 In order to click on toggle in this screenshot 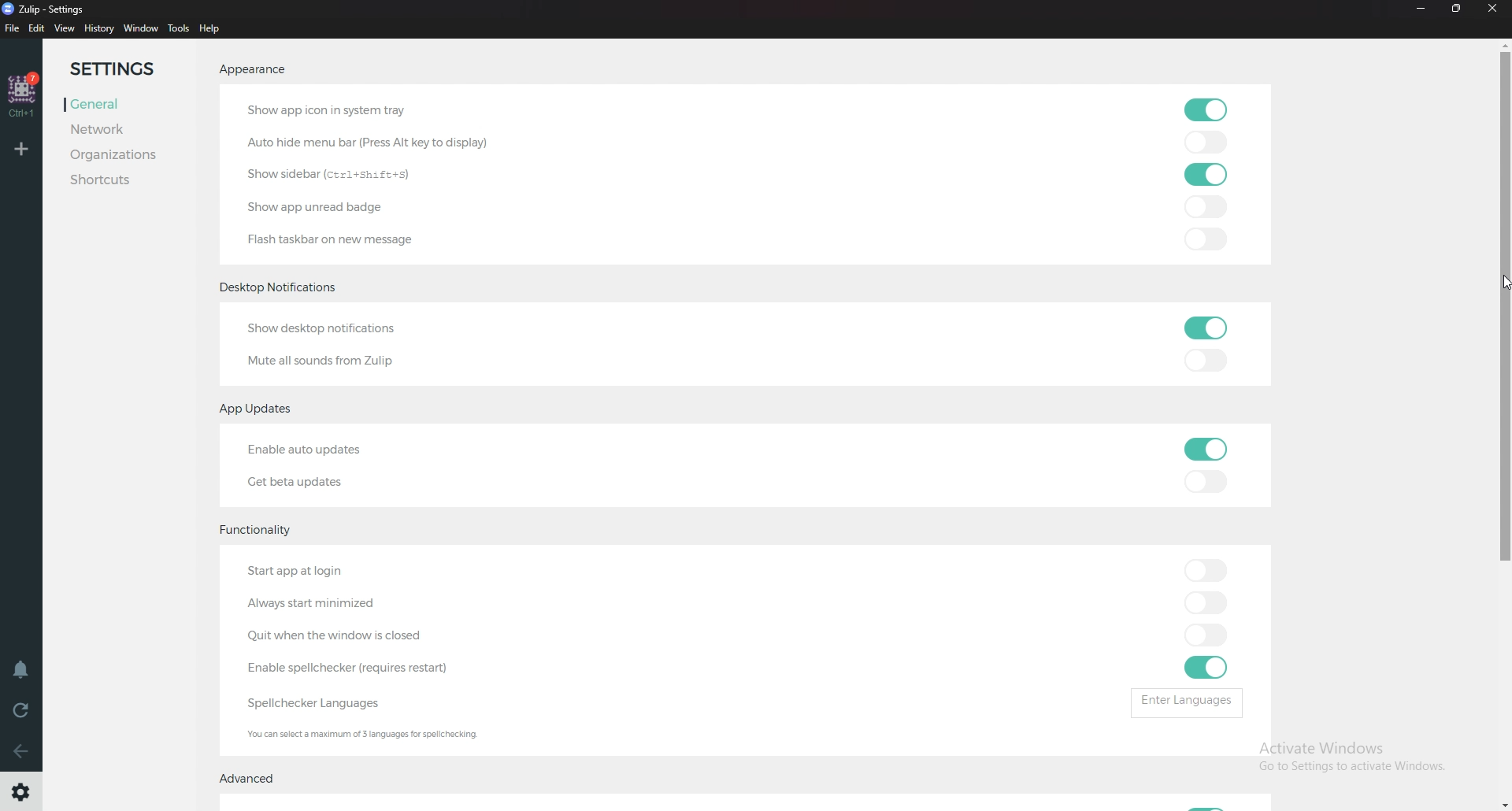, I will do `click(1208, 450)`.